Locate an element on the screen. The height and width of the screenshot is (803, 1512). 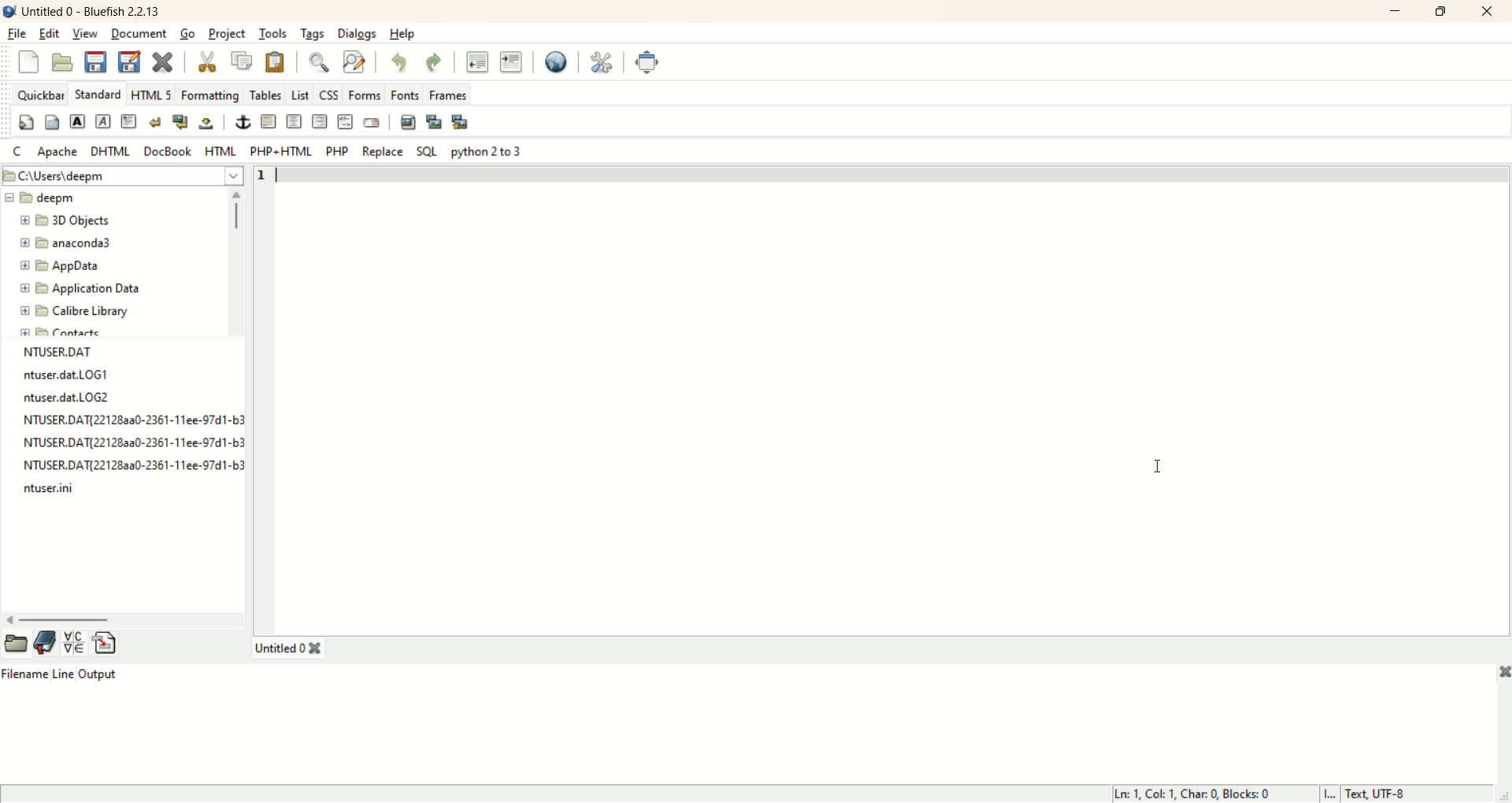
open file is located at coordinates (63, 61).